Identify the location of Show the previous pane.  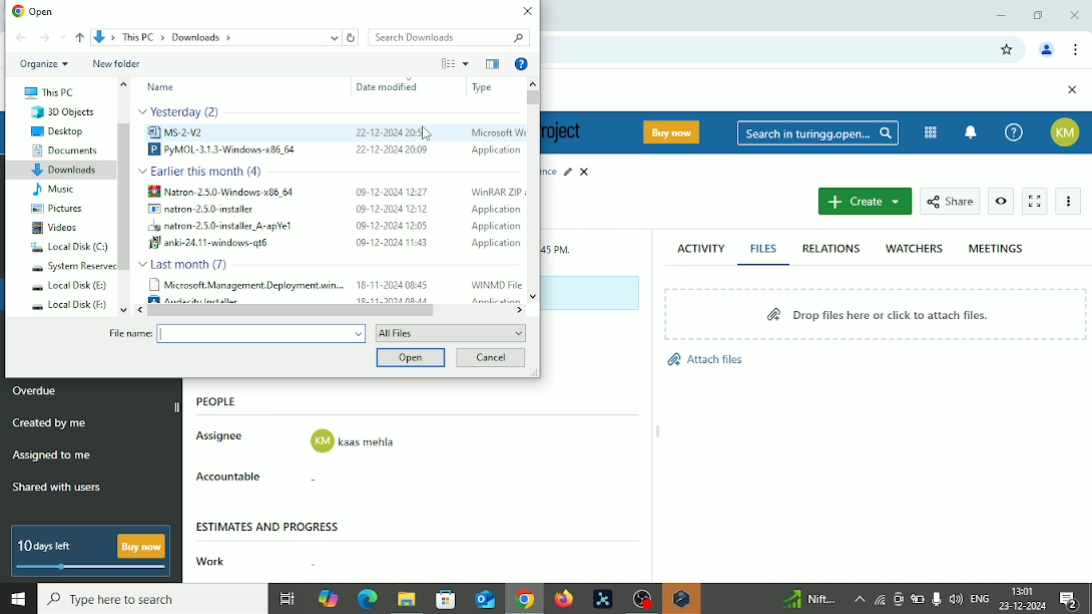
(492, 63).